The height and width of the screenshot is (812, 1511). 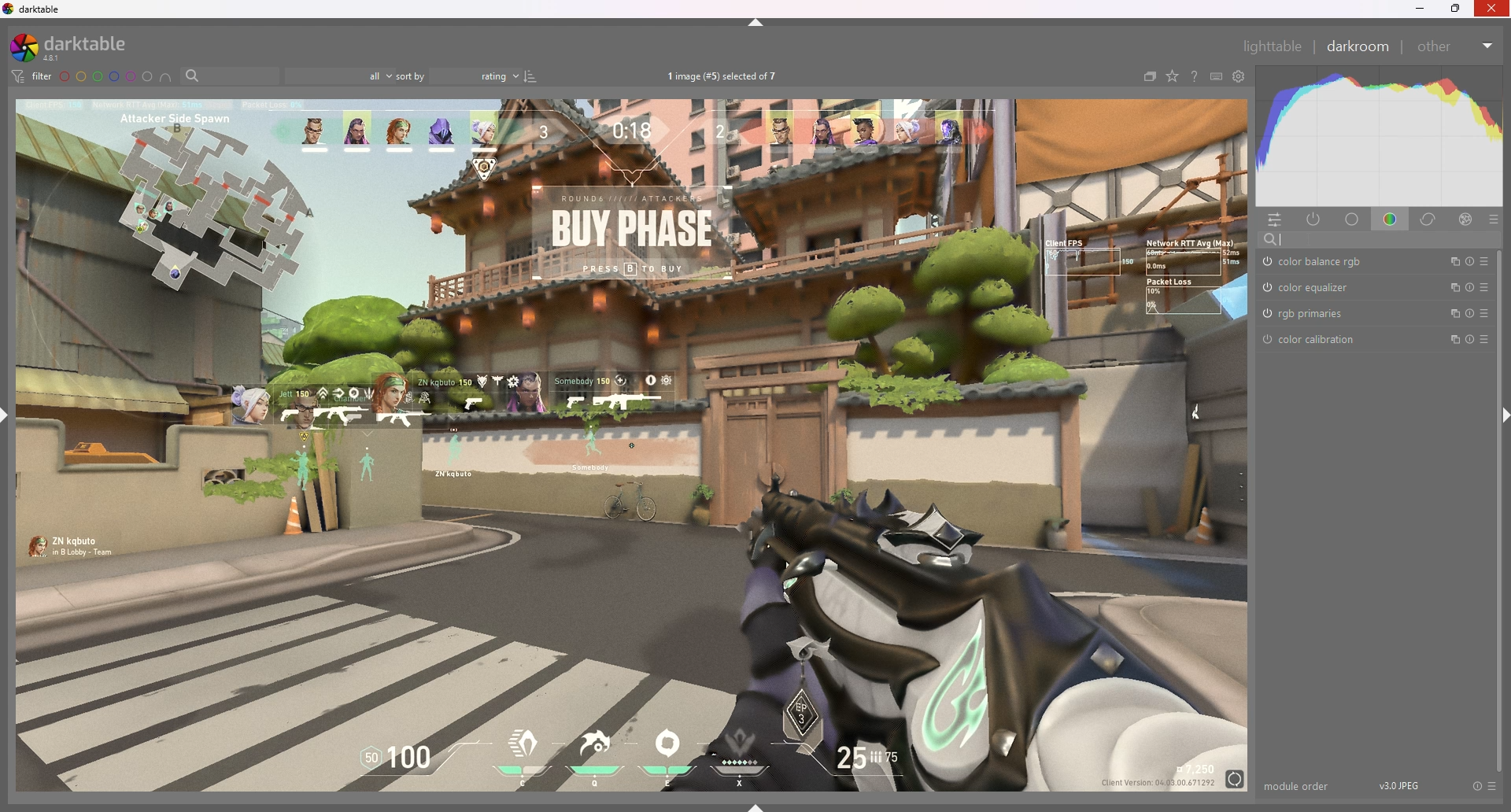 What do you see at coordinates (1447, 341) in the screenshot?
I see `multiple instances action` at bounding box center [1447, 341].